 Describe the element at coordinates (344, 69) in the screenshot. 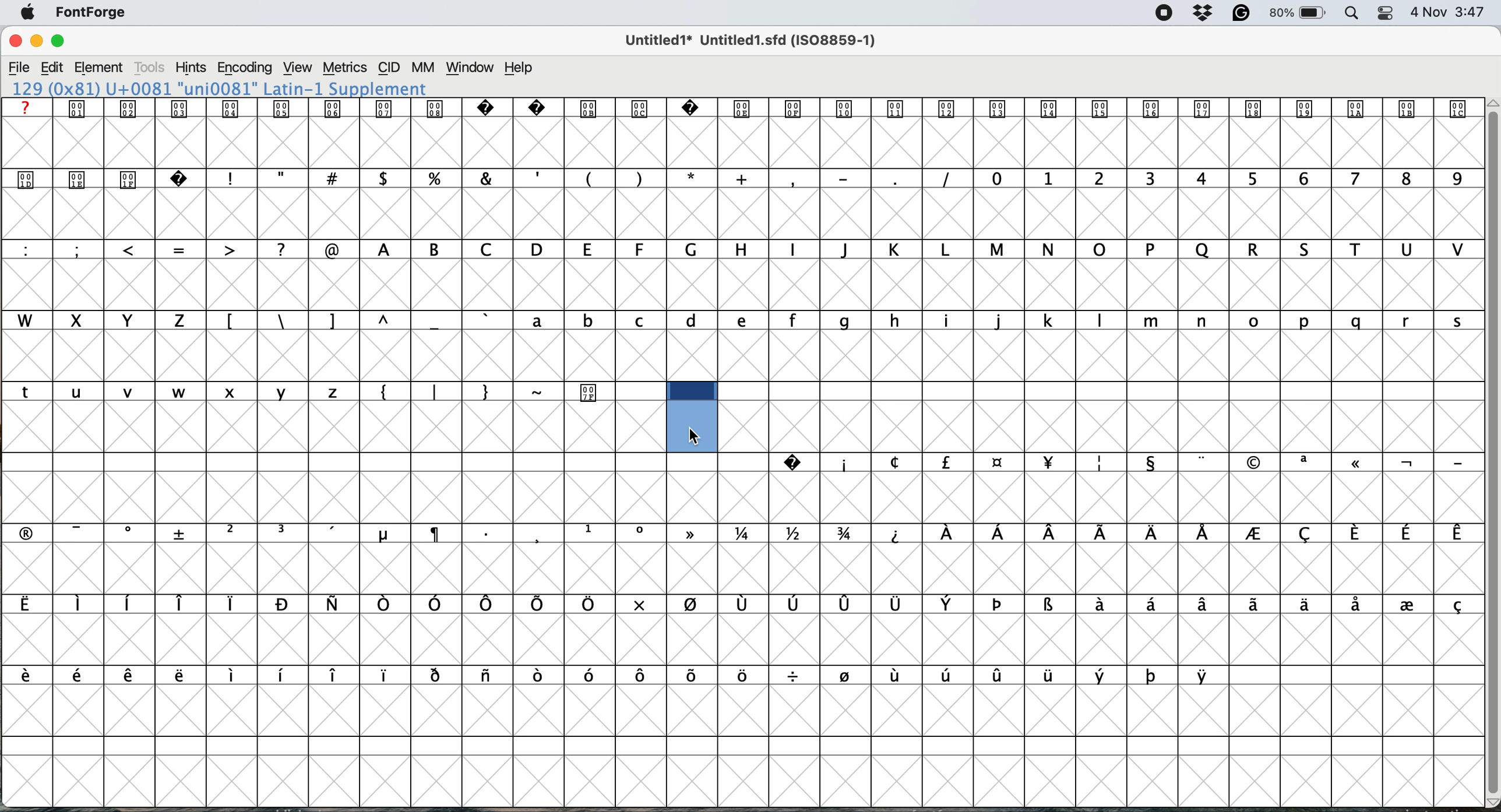

I see `Metrics` at that location.